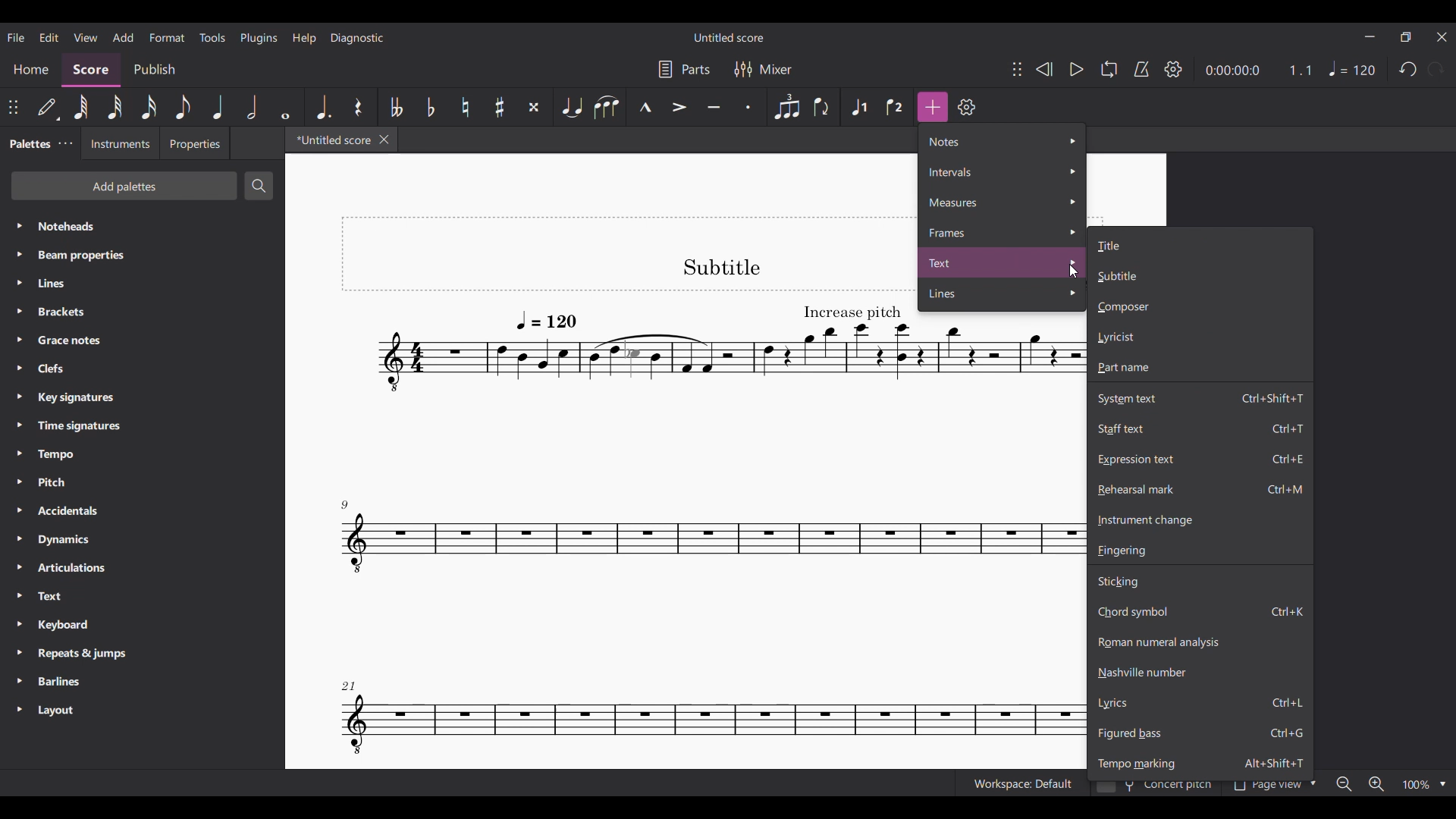 The image size is (1456, 819). What do you see at coordinates (500, 106) in the screenshot?
I see `Toggle sharp` at bounding box center [500, 106].